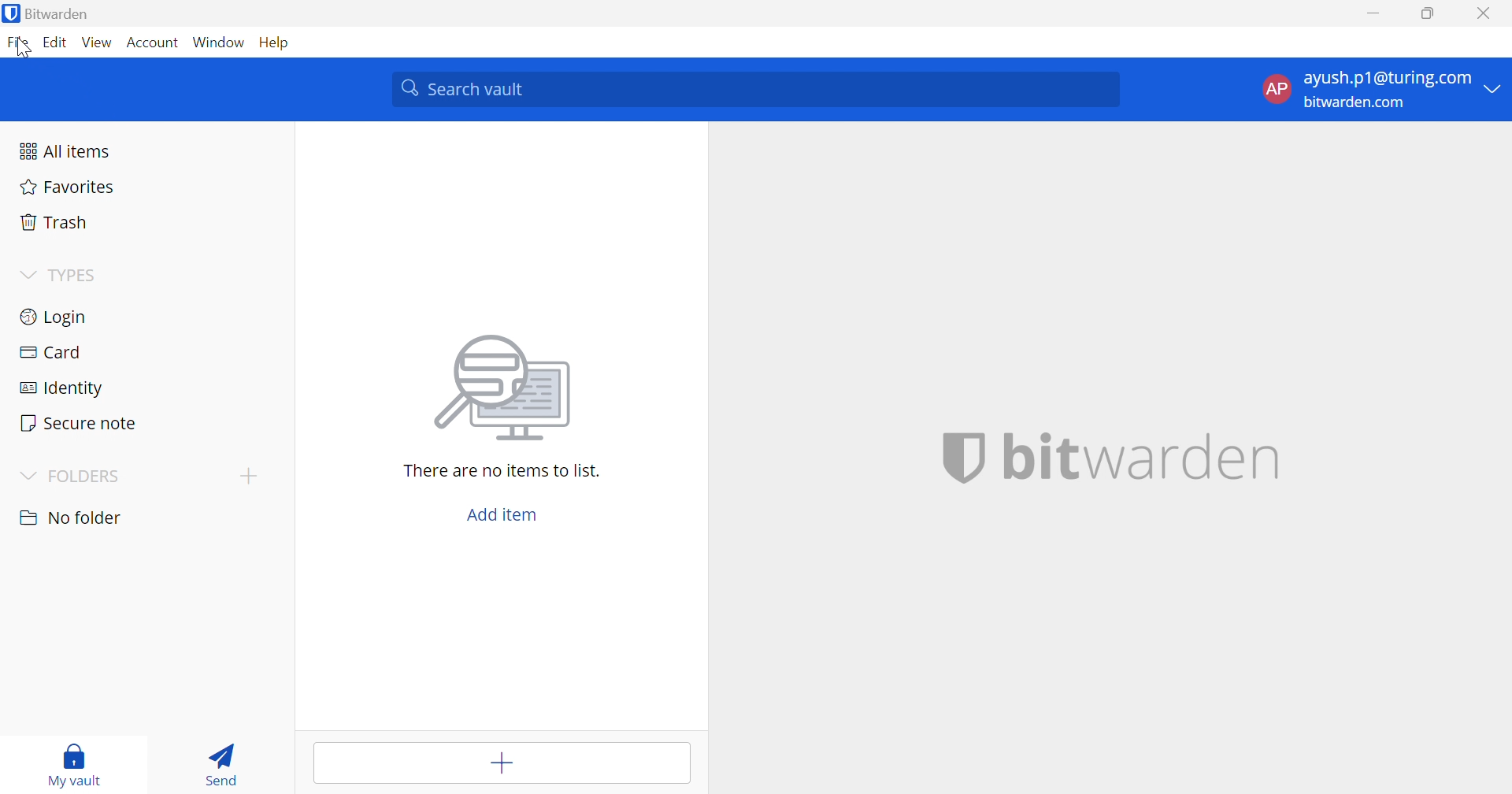 This screenshot has height=794, width=1512. I want to click on Window, so click(220, 42).